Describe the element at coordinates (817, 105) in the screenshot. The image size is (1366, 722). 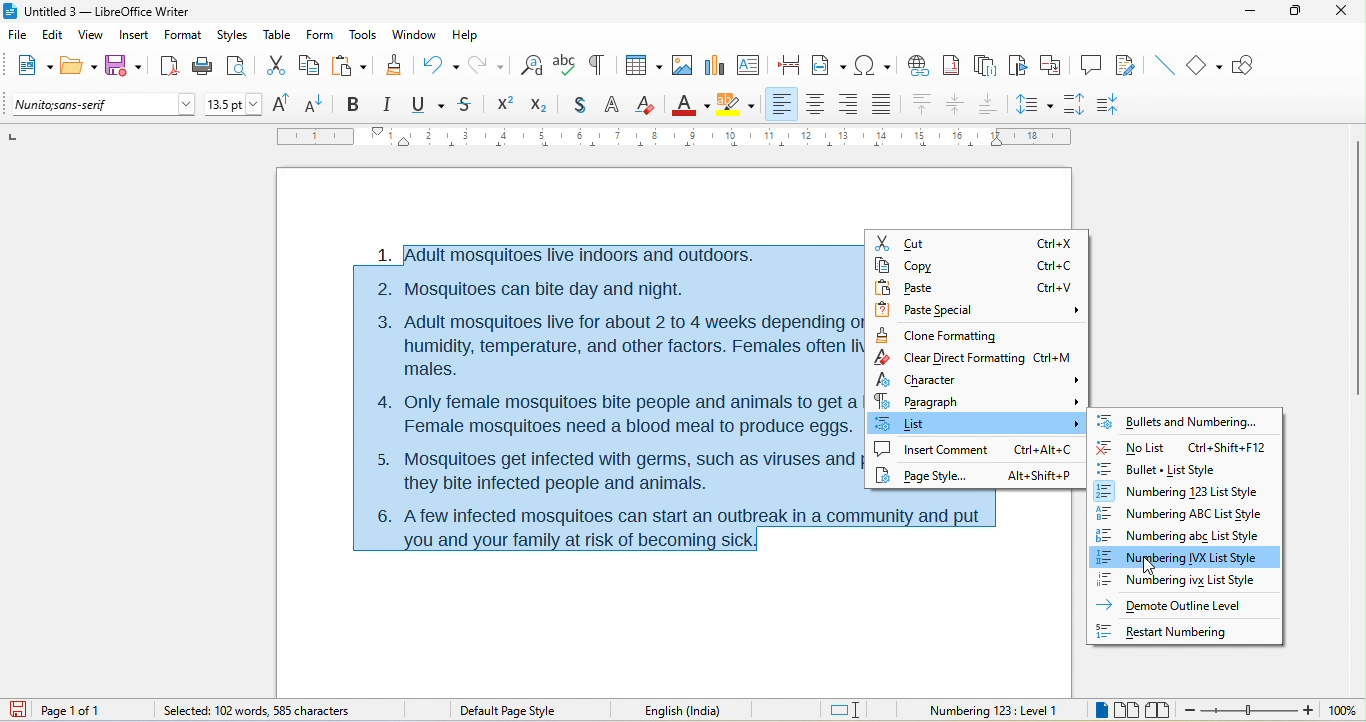
I see `align center` at that location.